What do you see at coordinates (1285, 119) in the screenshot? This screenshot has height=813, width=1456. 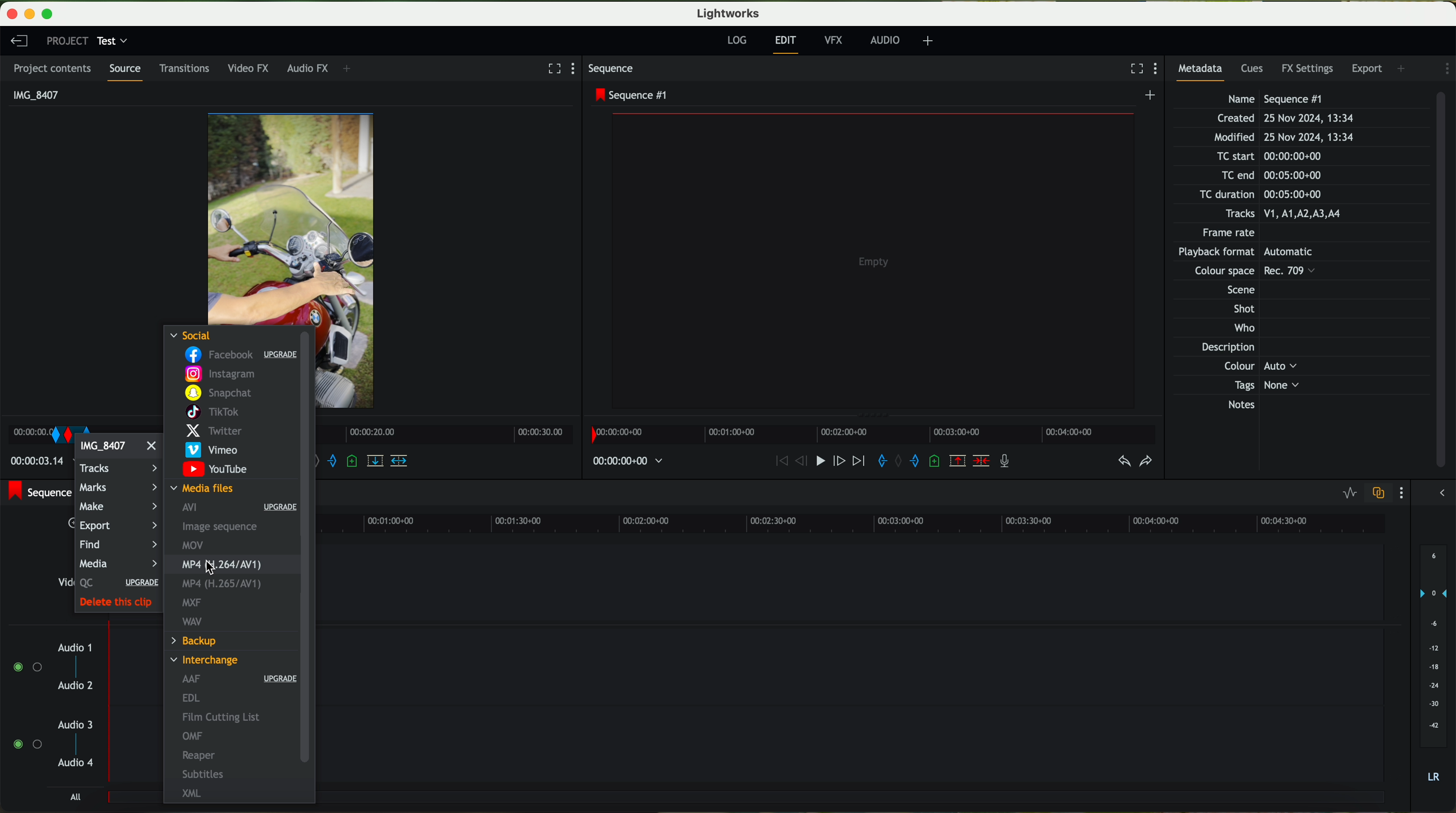 I see `Created` at bounding box center [1285, 119].